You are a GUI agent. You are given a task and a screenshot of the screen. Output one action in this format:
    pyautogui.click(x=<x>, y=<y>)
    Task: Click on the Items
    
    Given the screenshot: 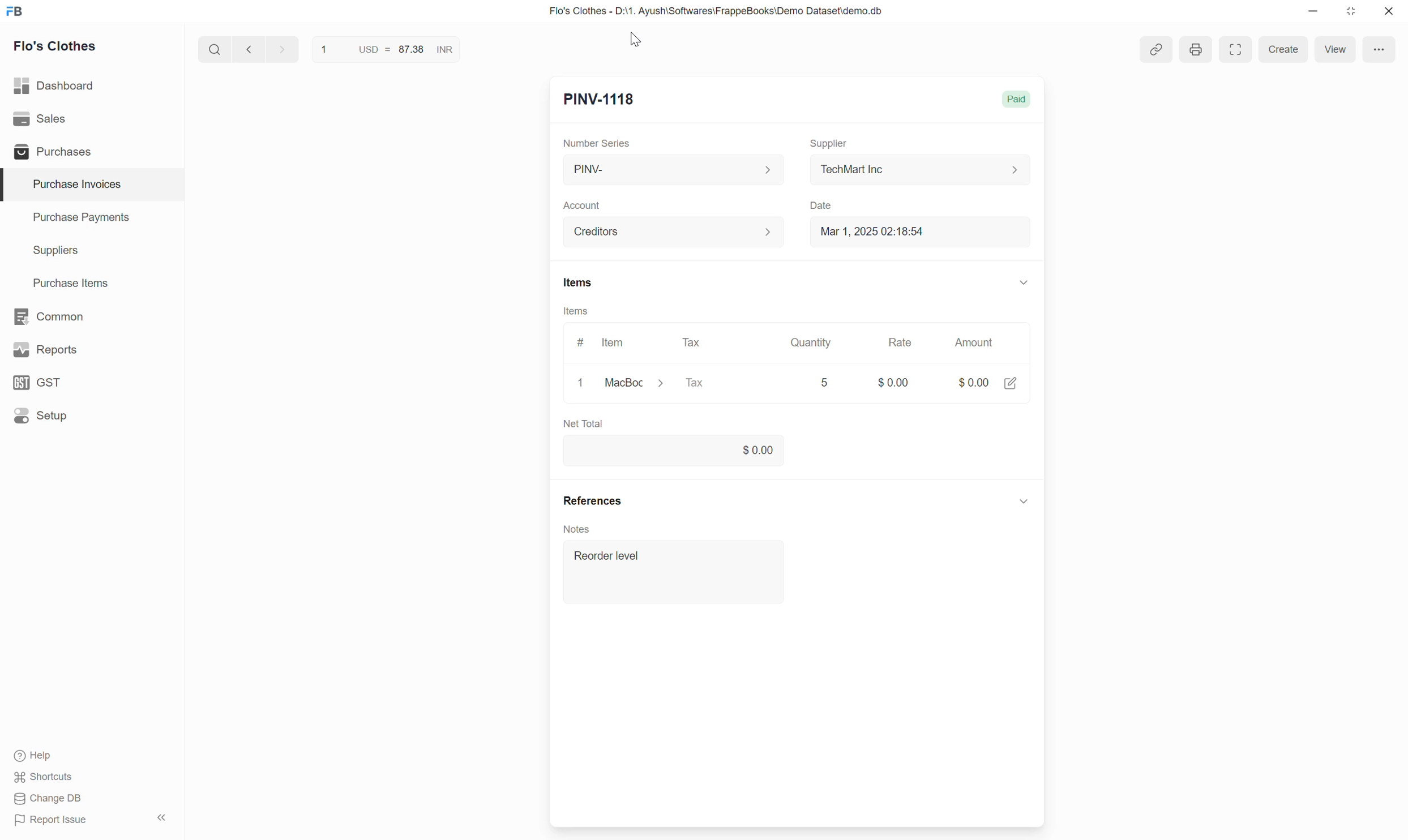 What is the action you would take?
    pyautogui.click(x=579, y=282)
    